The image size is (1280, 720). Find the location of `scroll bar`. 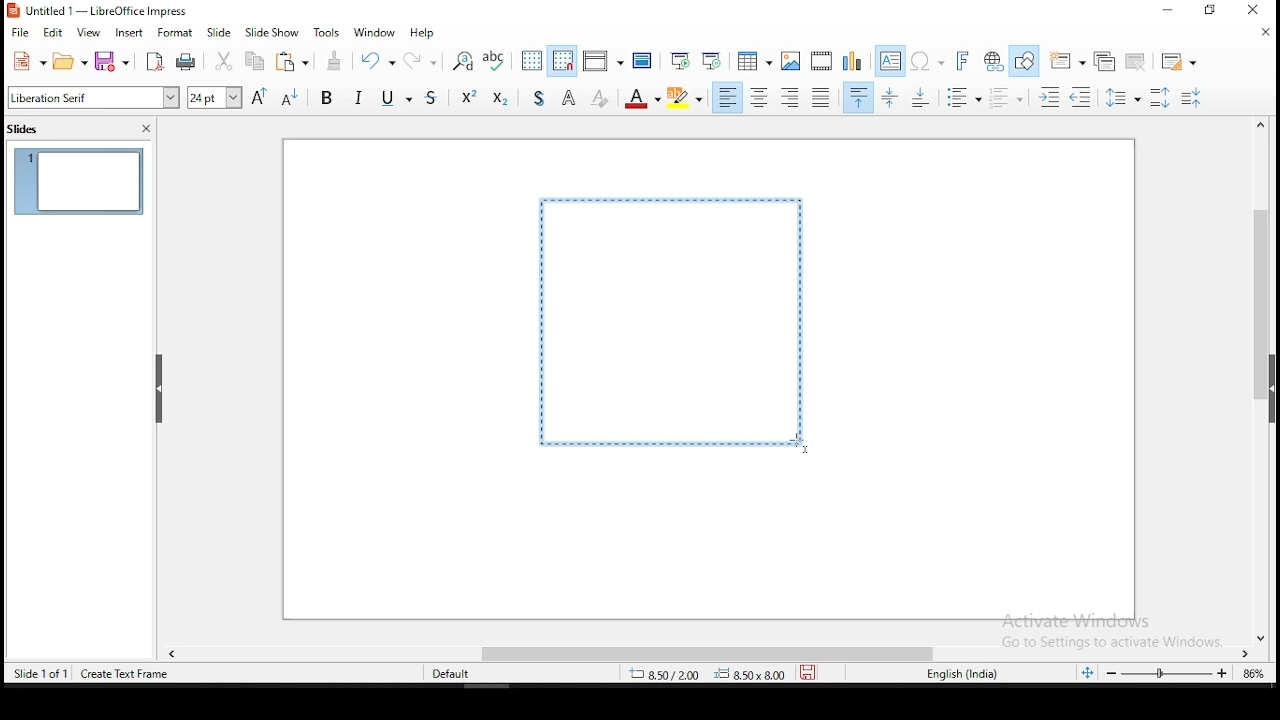

scroll bar is located at coordinates (716, 652).